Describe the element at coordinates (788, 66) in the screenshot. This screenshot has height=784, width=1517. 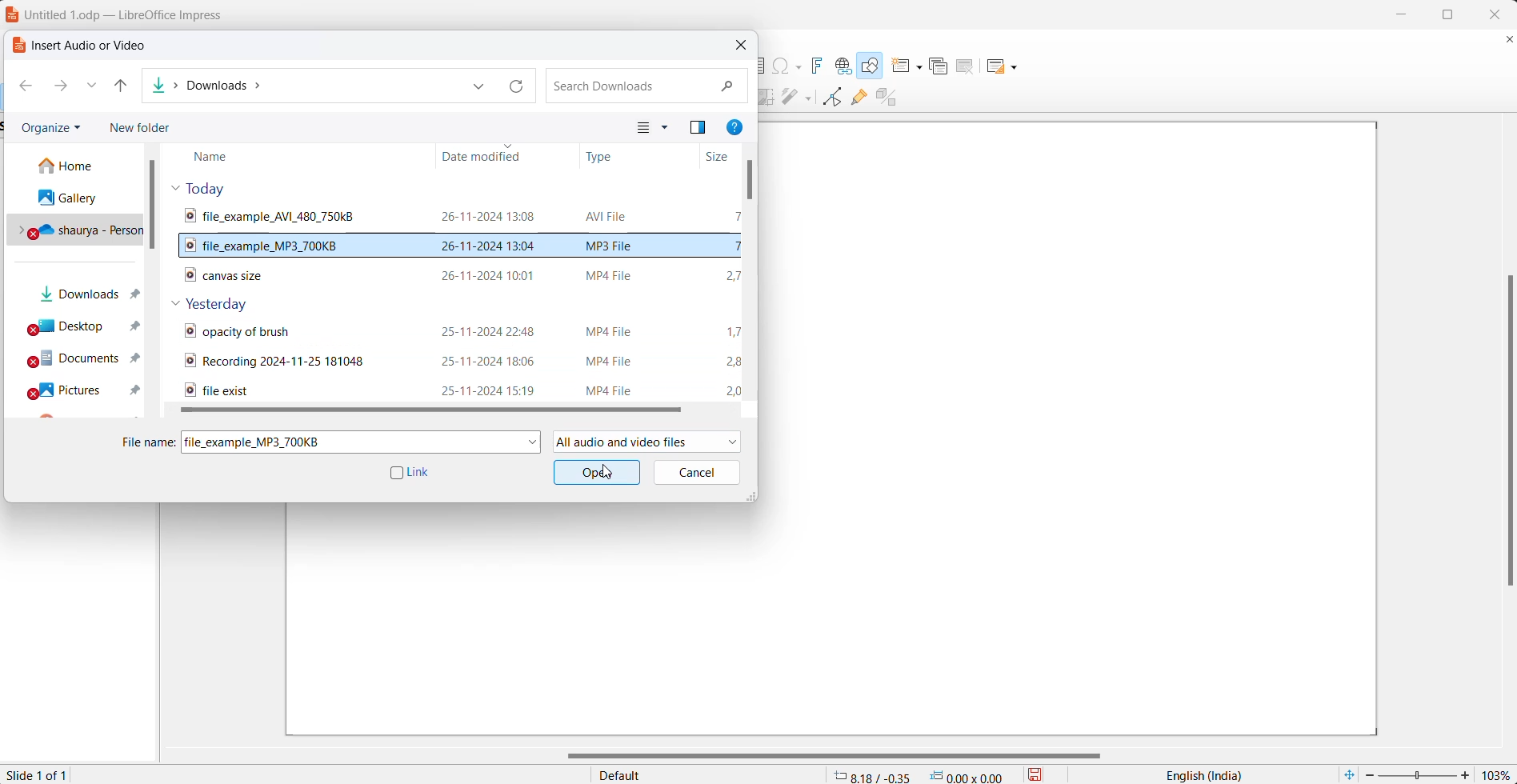
I see `insert special character` at that location.